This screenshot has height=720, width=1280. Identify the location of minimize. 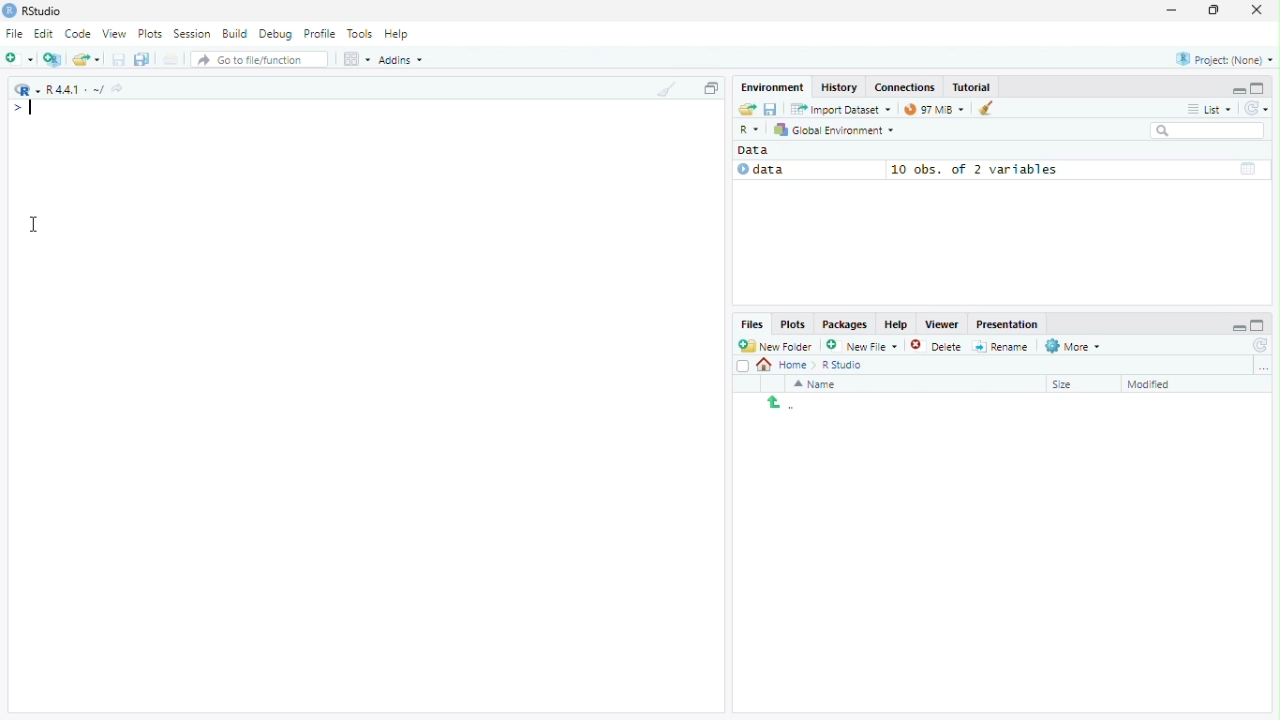
(1238, 89).